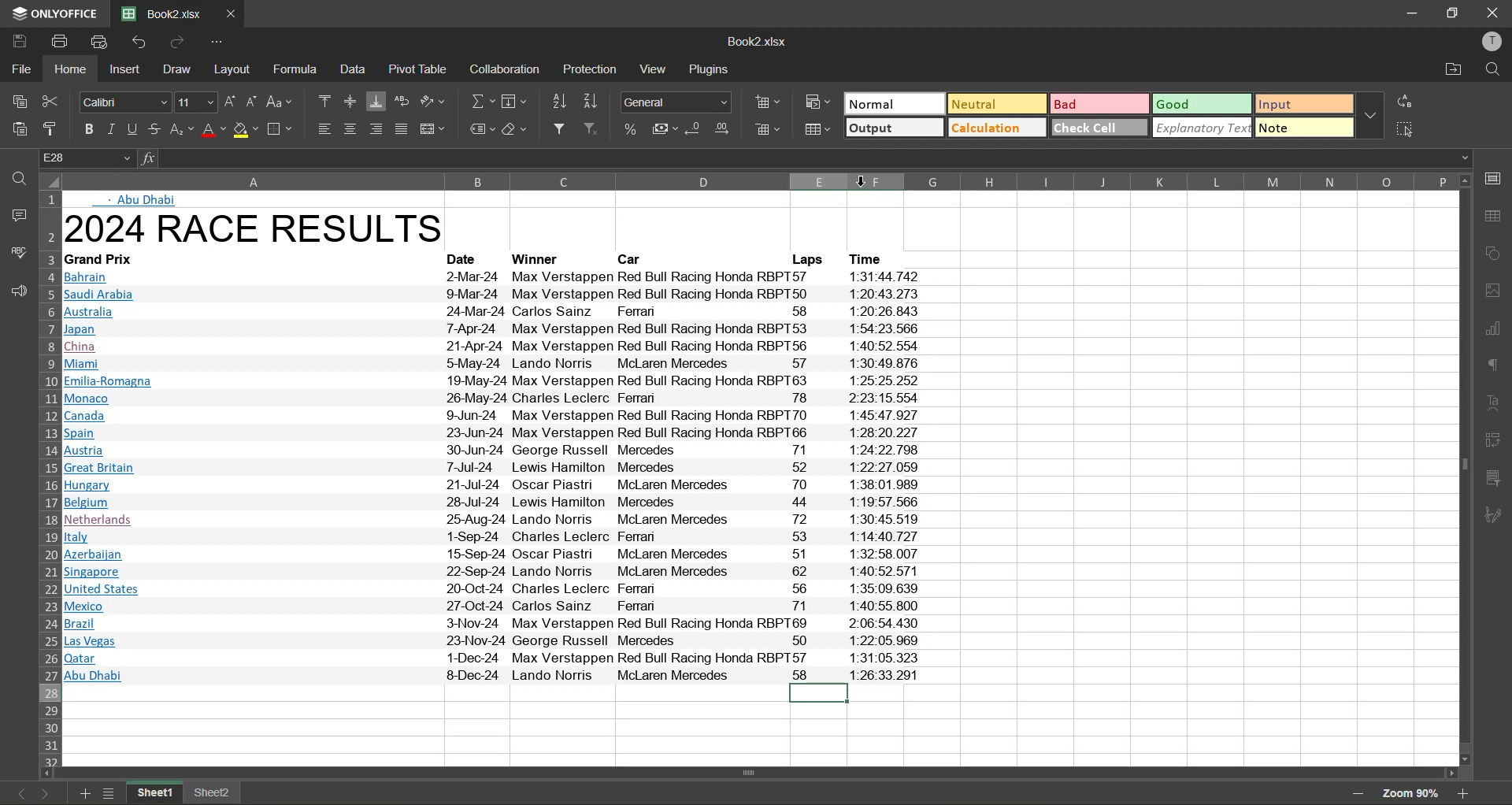 This screenshot has width=1512, height=805. Describe the element at coordinates (698, 127) in the screenshot. I see `decrease decimal` at that location.